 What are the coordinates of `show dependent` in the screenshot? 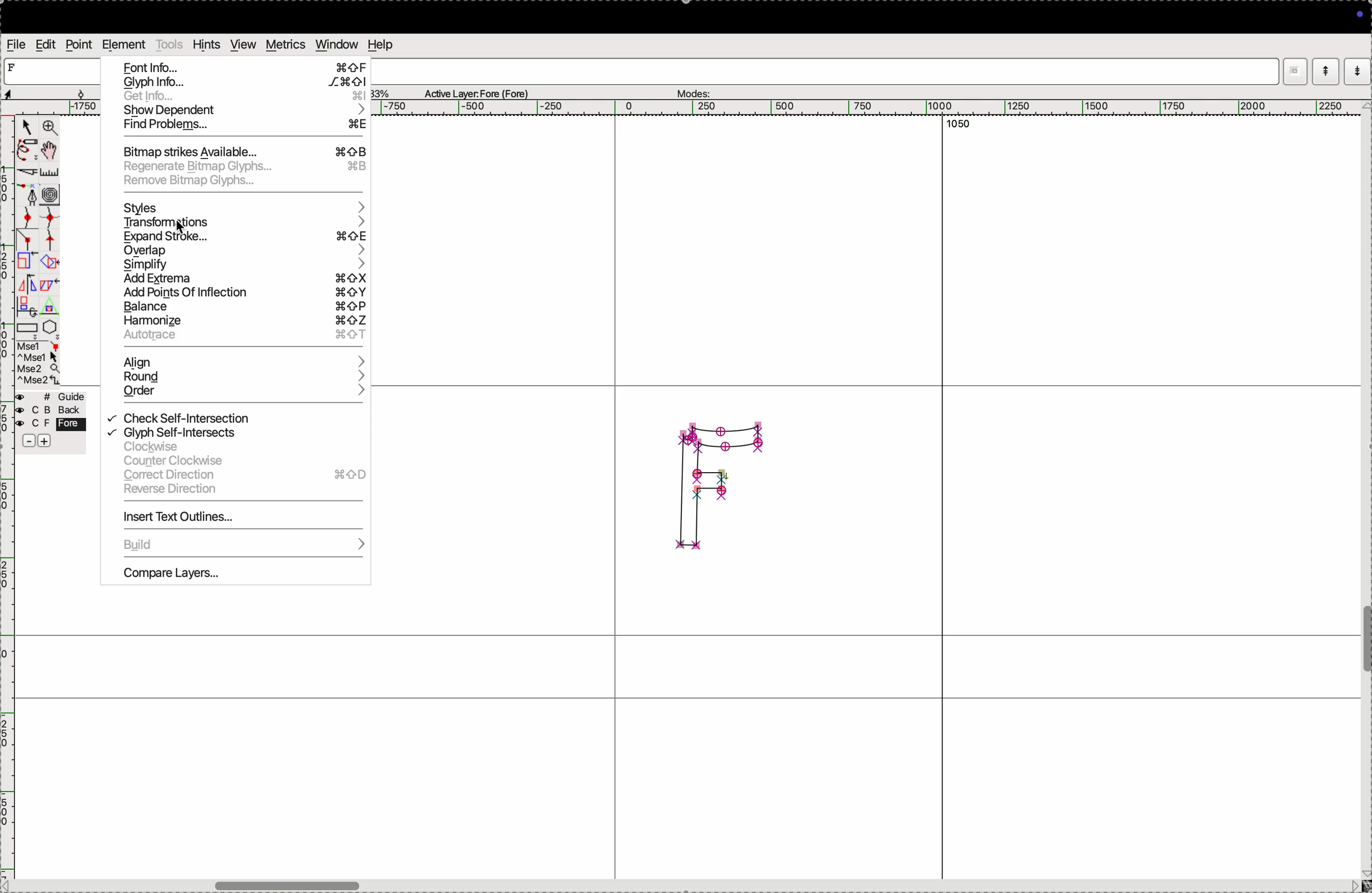 It's located at (243, 111).